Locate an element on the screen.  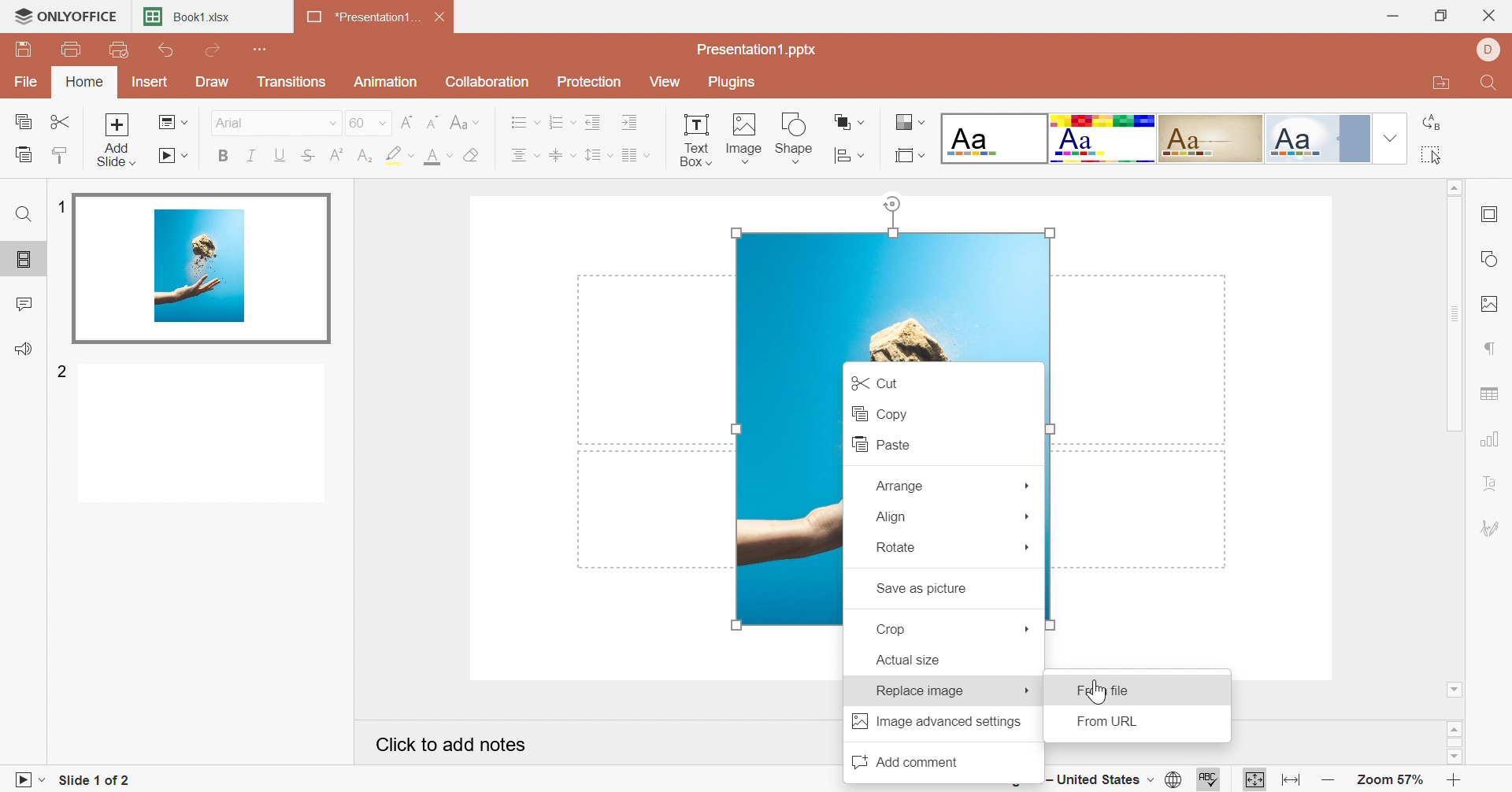
Decrement font size is located at coordinates (433, 120).